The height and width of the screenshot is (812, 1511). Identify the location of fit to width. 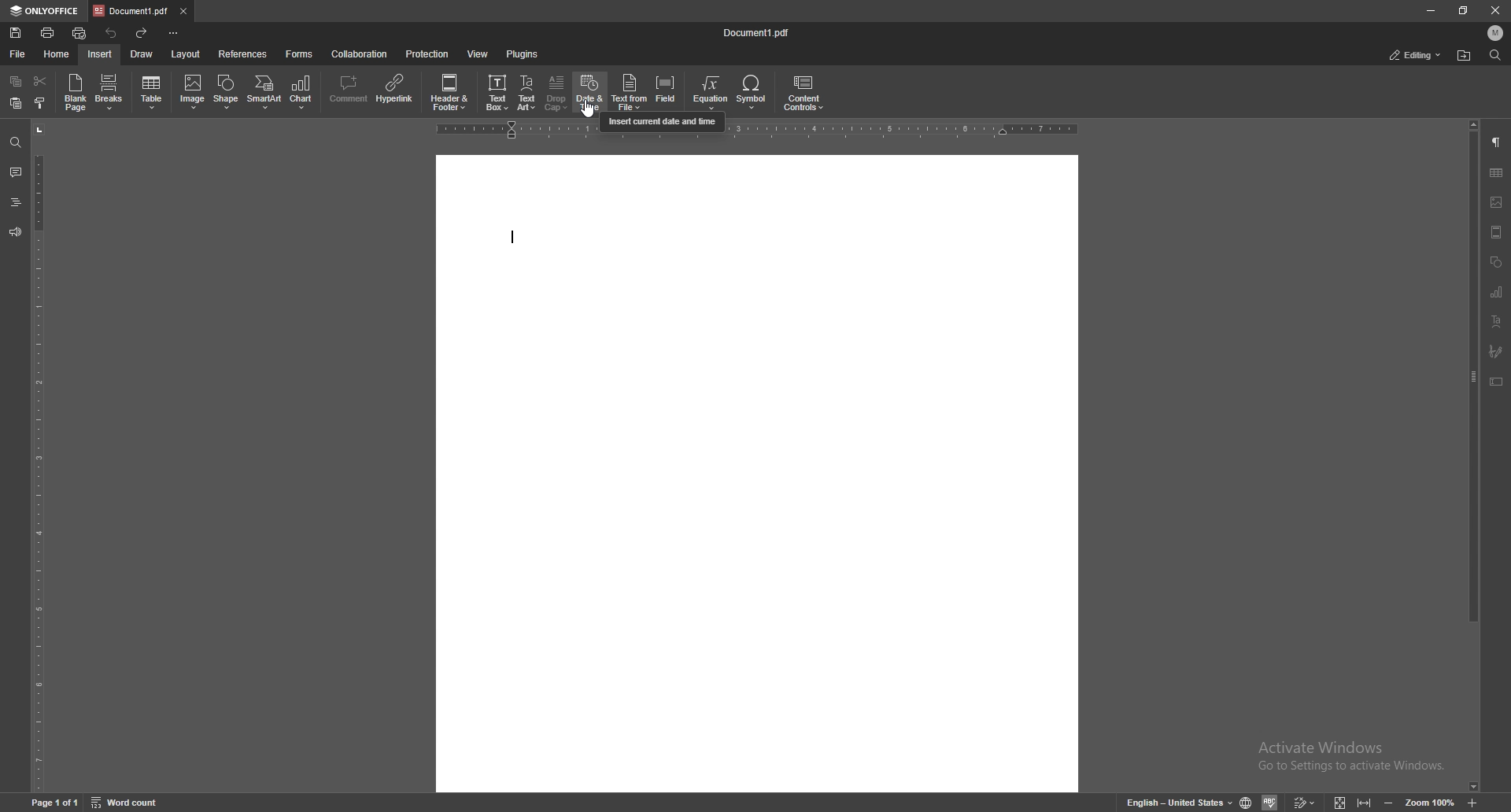
(1365, 802).